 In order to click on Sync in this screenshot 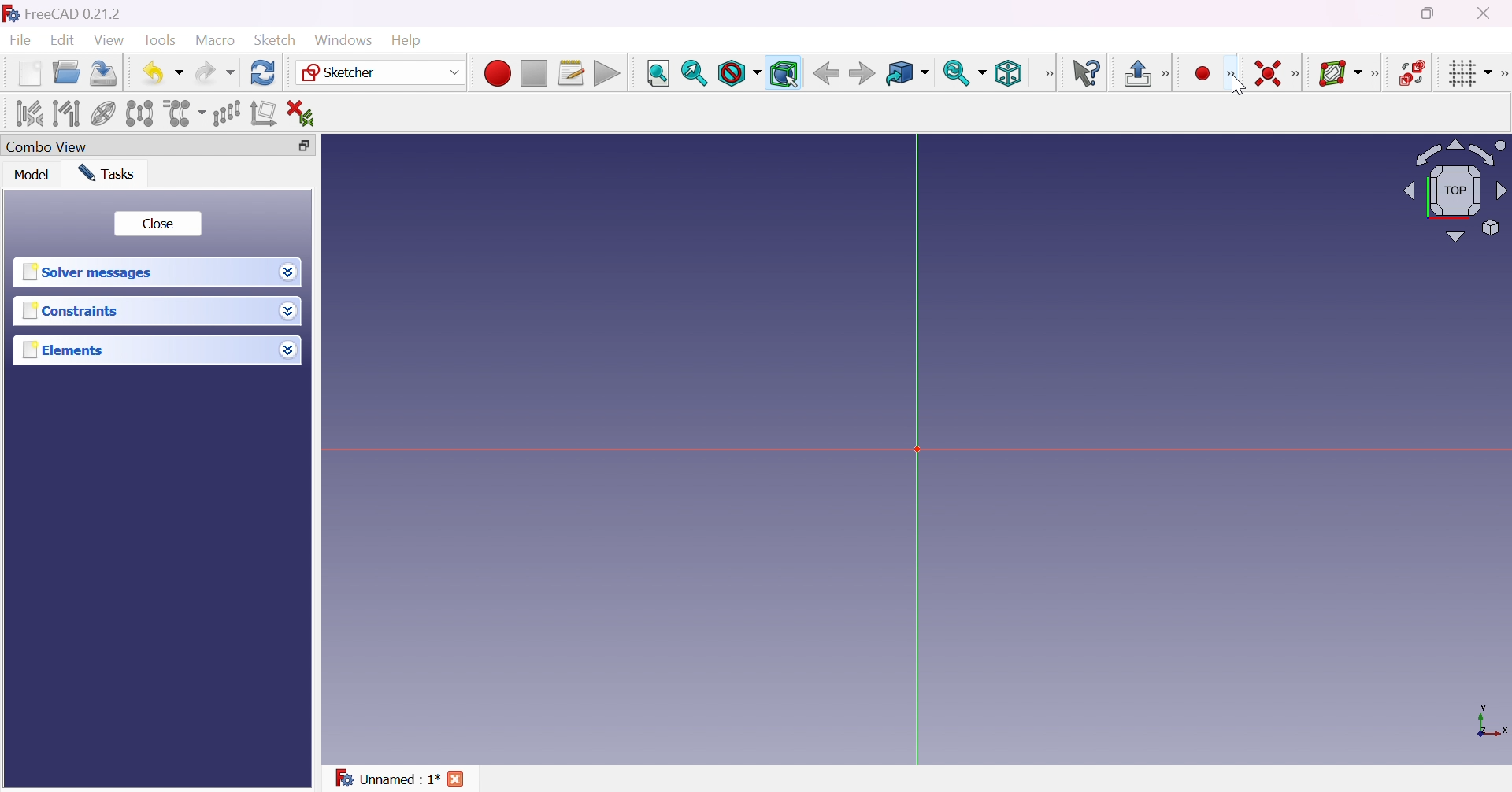, I will do `click(964, 72)`.